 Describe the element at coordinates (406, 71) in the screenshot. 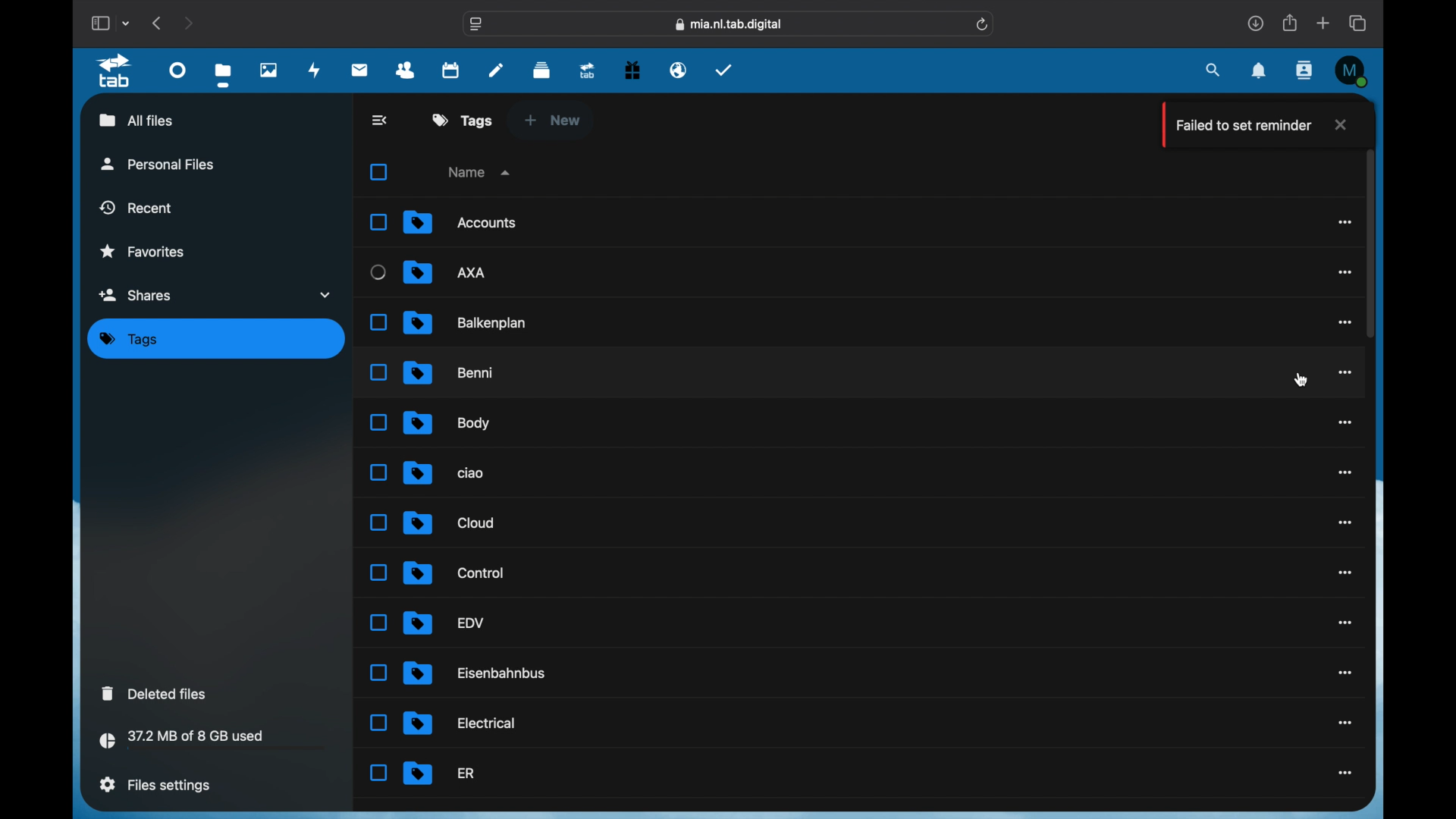

I see `contacts` at that location.